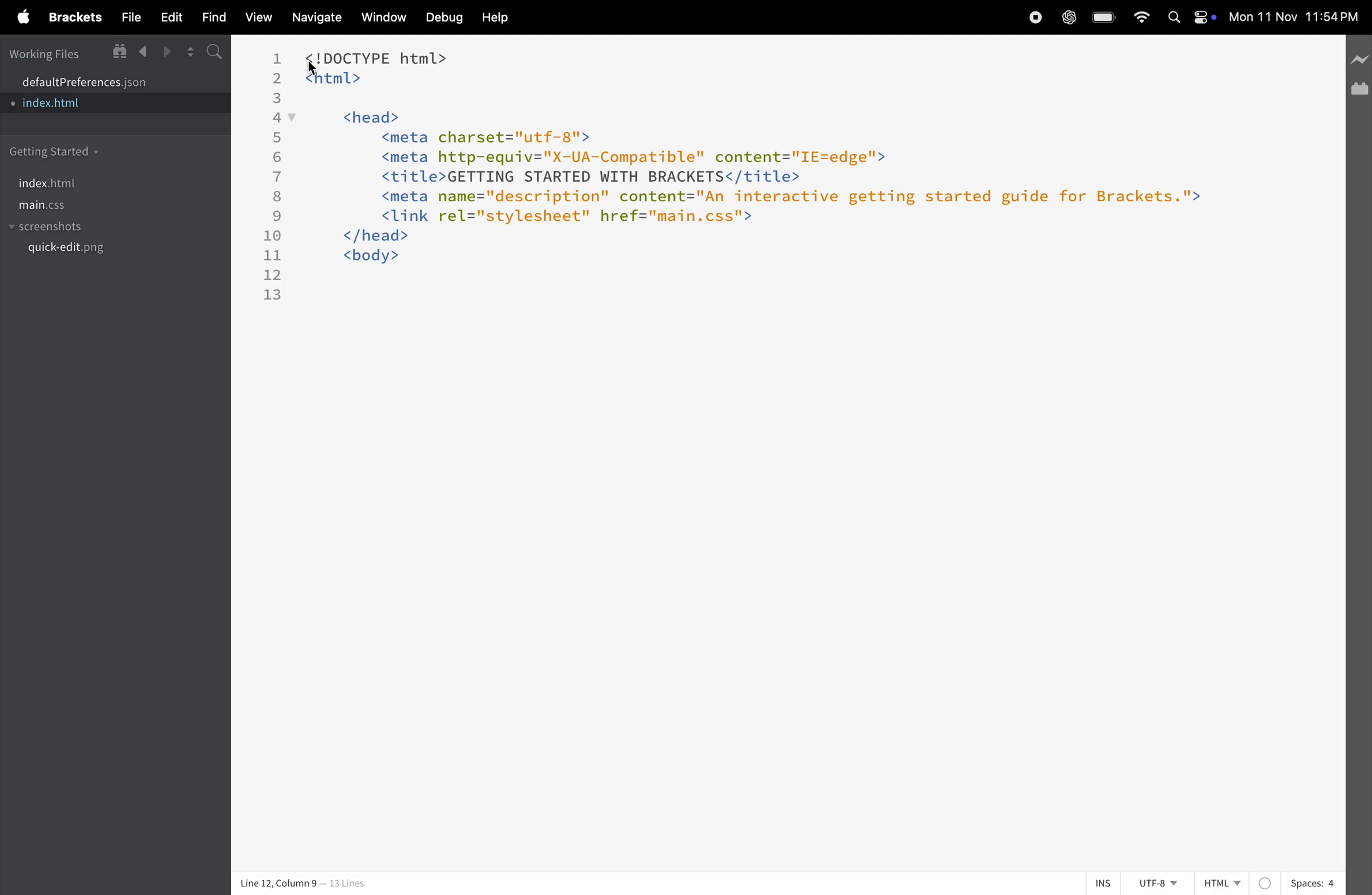 The width and height of the screenshot is (1372, 895). What do you see at coordinates (496, 18) in the screenshot?
I see `help` at bounding box center [496, 18].